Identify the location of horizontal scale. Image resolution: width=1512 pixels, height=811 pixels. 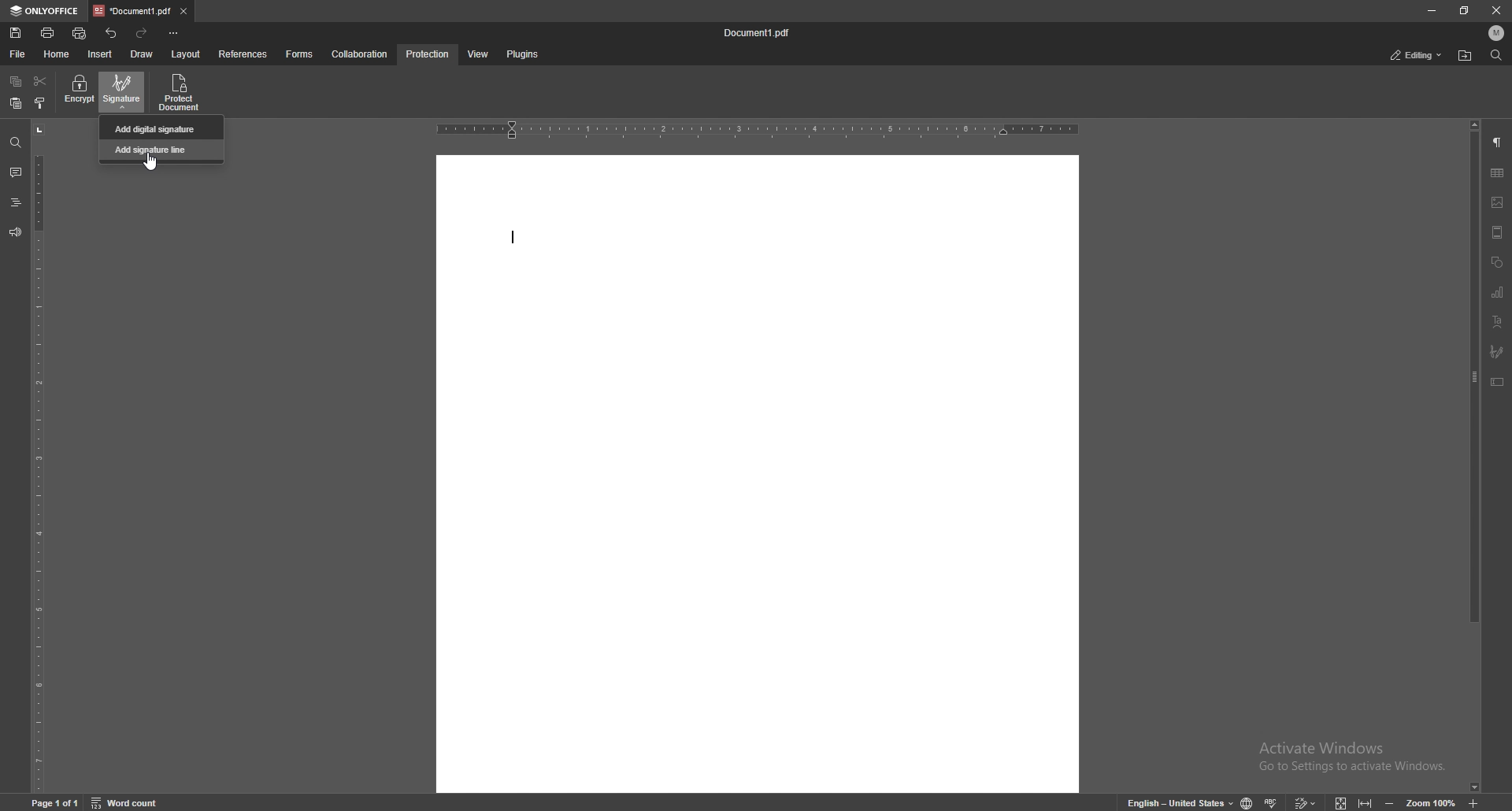
(758, 131).